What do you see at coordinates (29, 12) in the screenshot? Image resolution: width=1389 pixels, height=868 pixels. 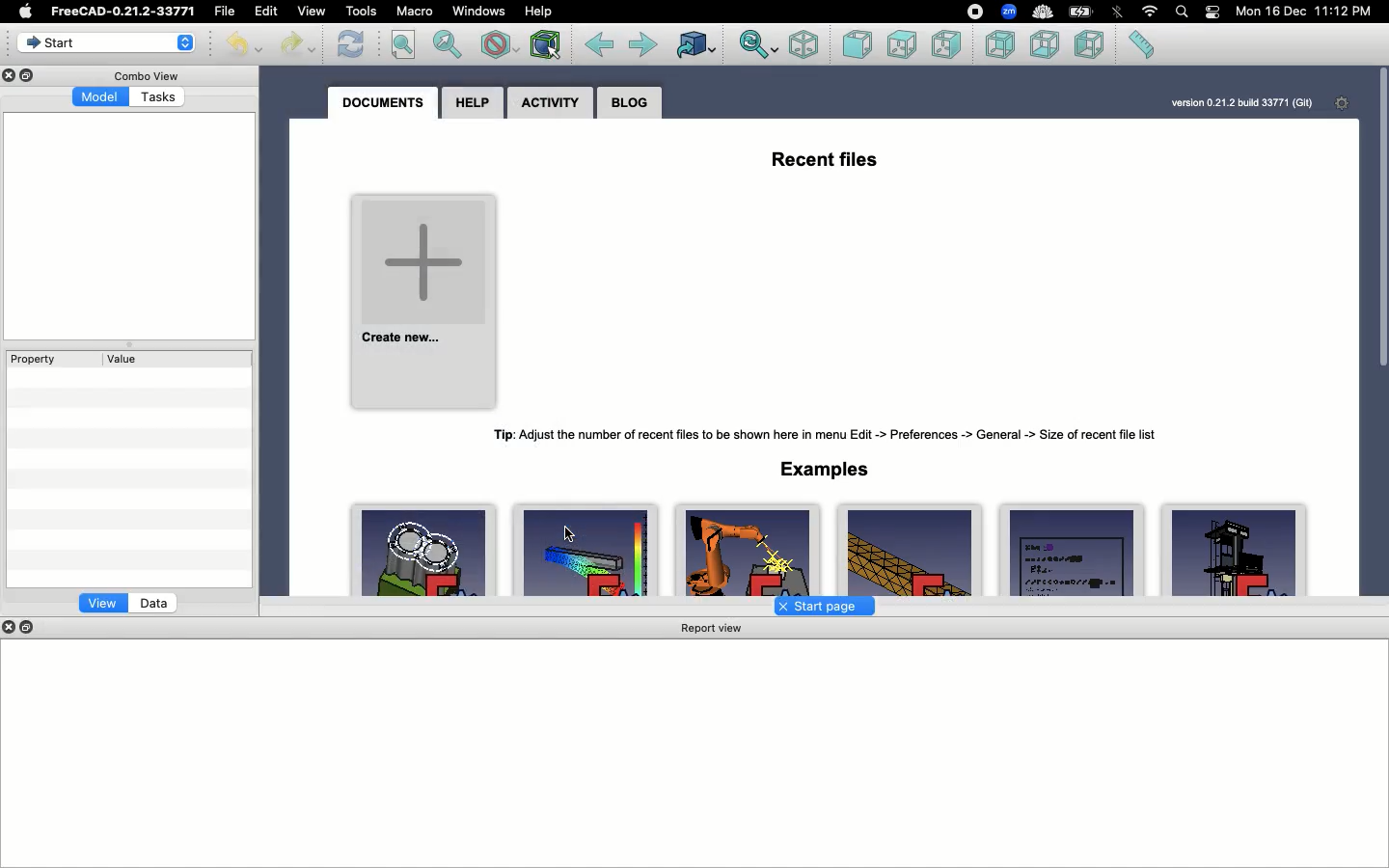 I see `Apple` at bounding box center [29, 12].